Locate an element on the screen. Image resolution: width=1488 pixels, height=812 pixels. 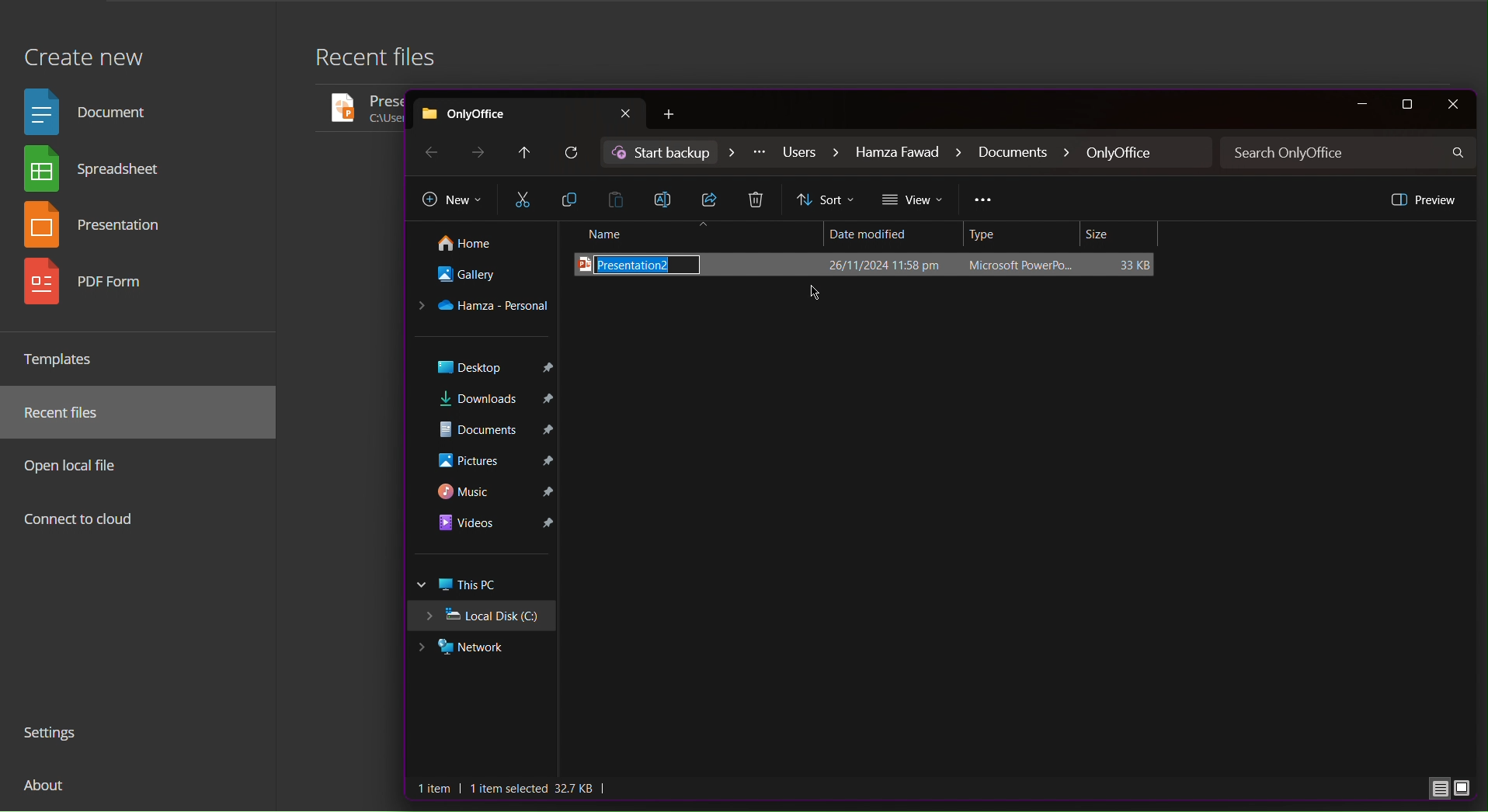
Paste is located at coordinates (620, 199).